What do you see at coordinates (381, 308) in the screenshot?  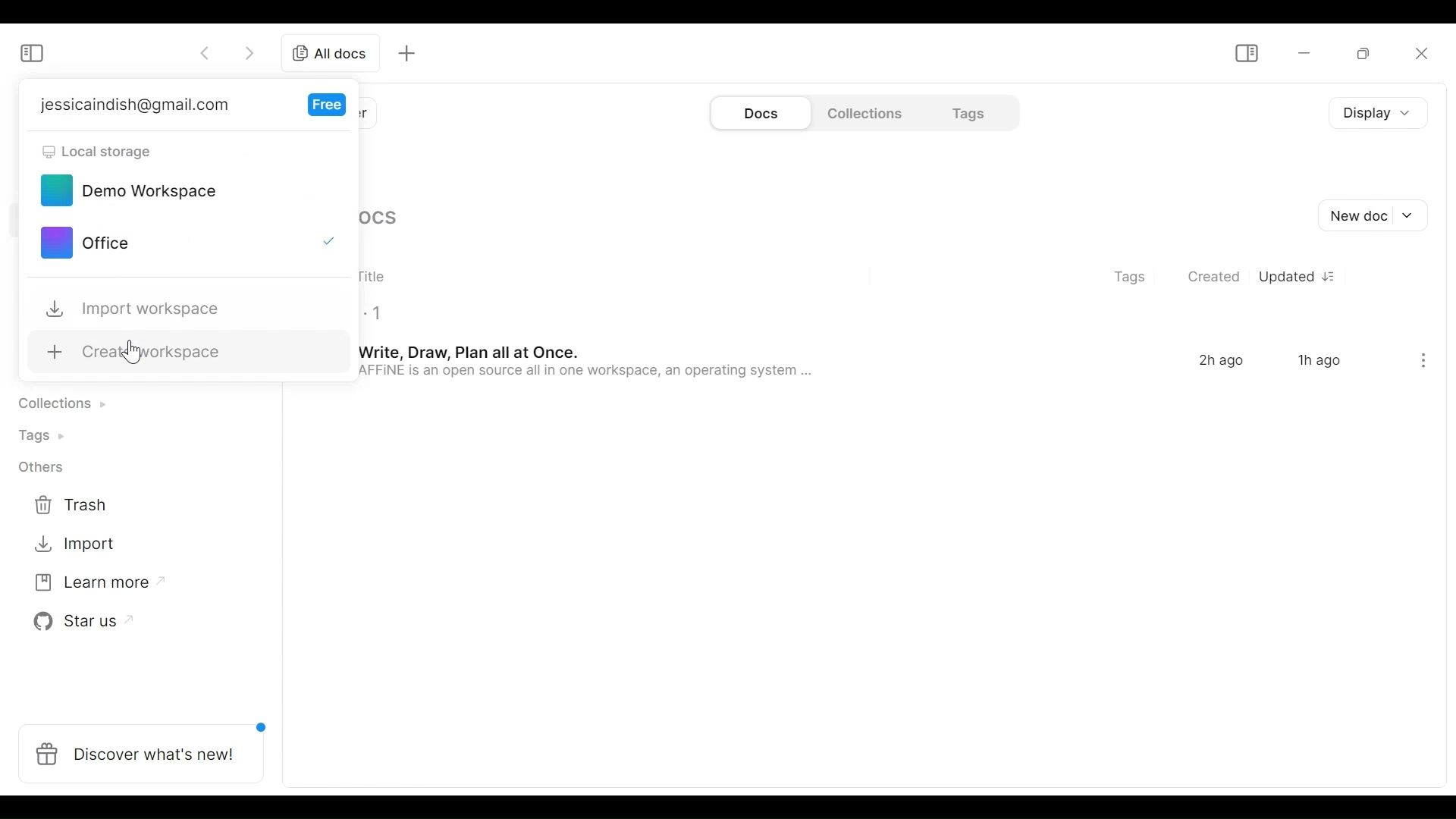 I see `1` at bounding box center [381, 308].